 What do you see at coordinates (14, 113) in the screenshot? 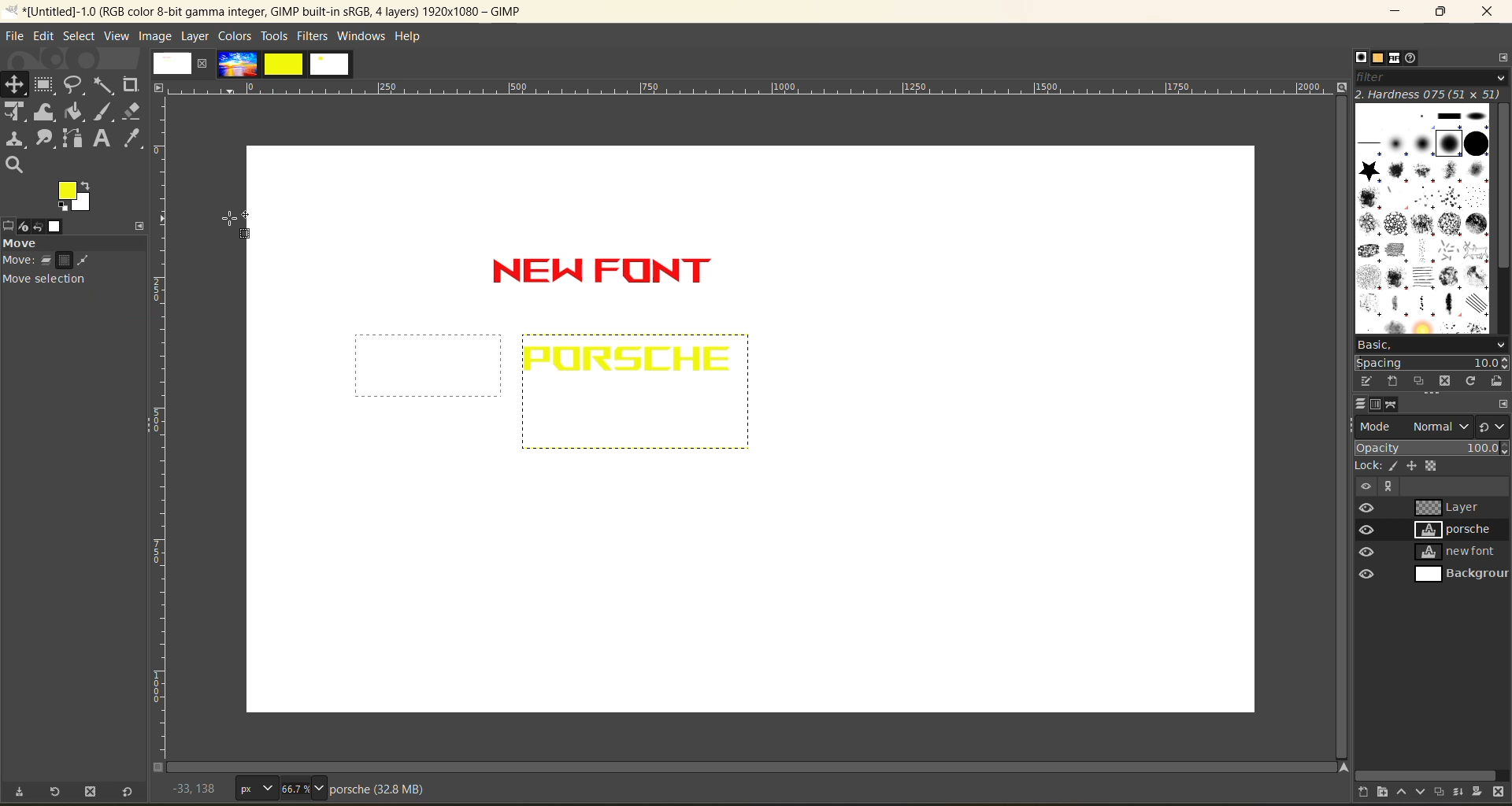
I see `Unified transform tool` at bounding box center [14, 113].